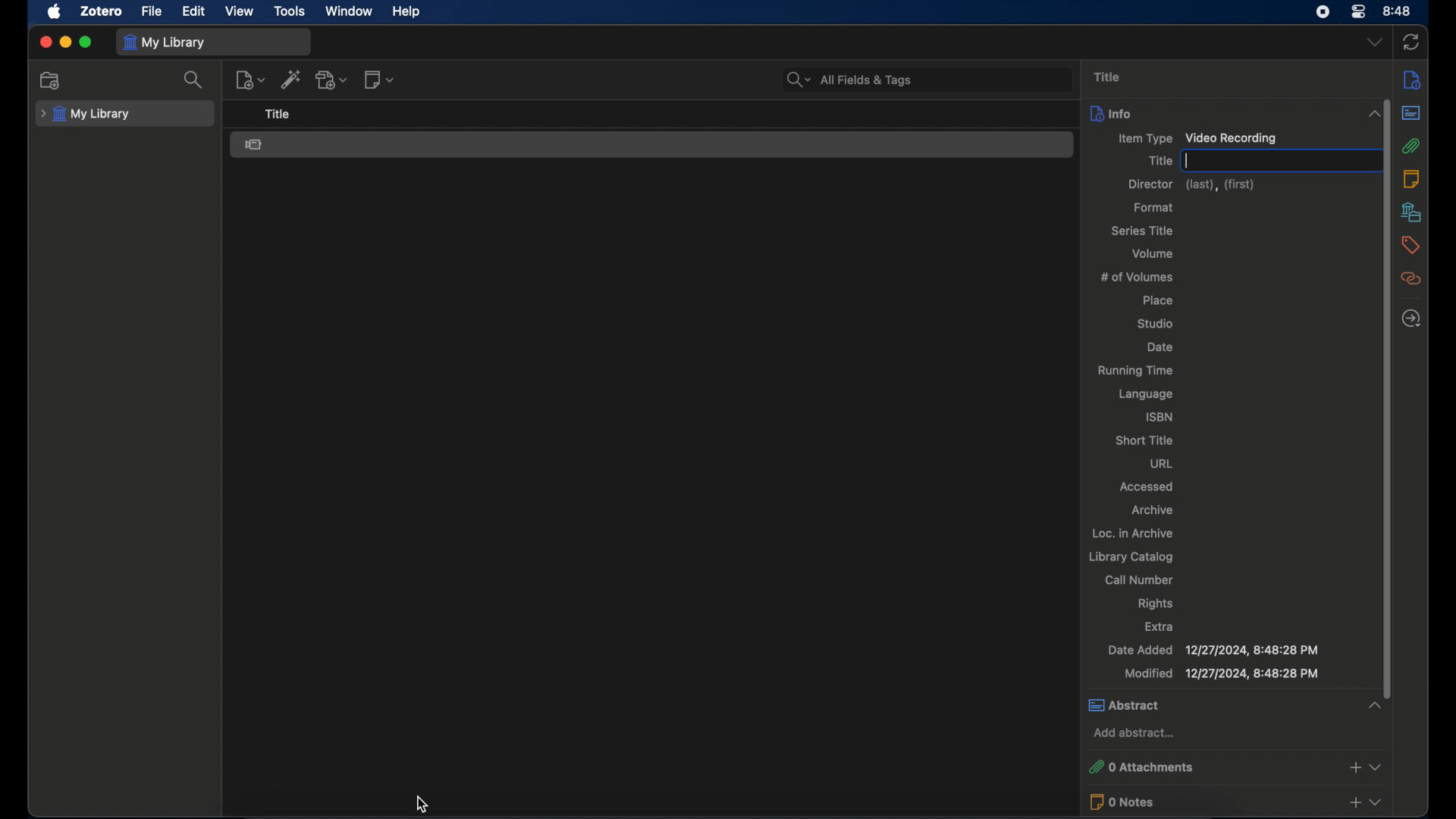 This screenshot has width=1456, height=819. What do you see at coordinates (1410, 112) in the screenshot?
I see `abstract` at bounding box center [1410, 112].